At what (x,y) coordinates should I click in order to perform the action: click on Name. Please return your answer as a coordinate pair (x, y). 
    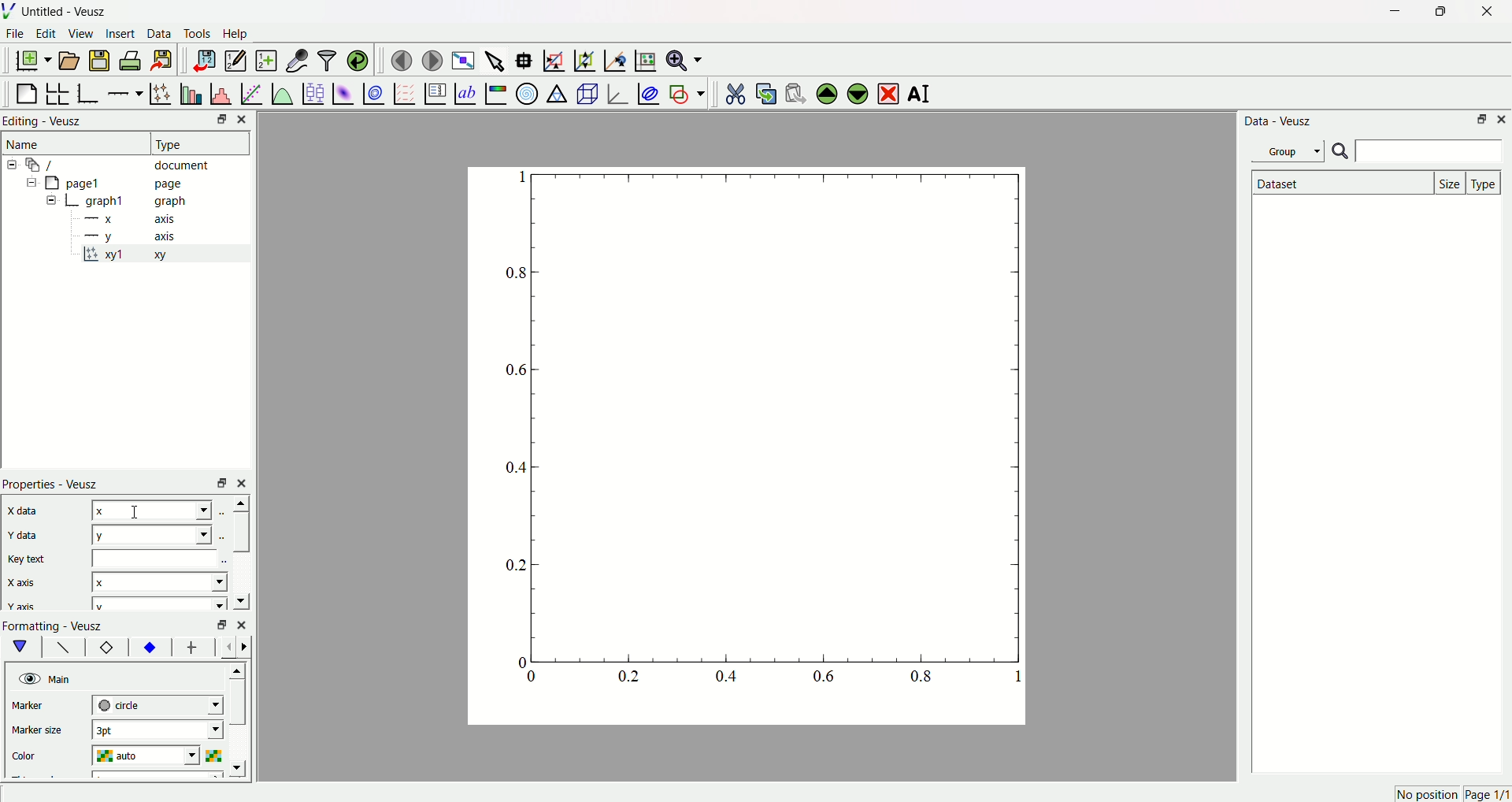
    Looking at the image, I should click on (26, 144).